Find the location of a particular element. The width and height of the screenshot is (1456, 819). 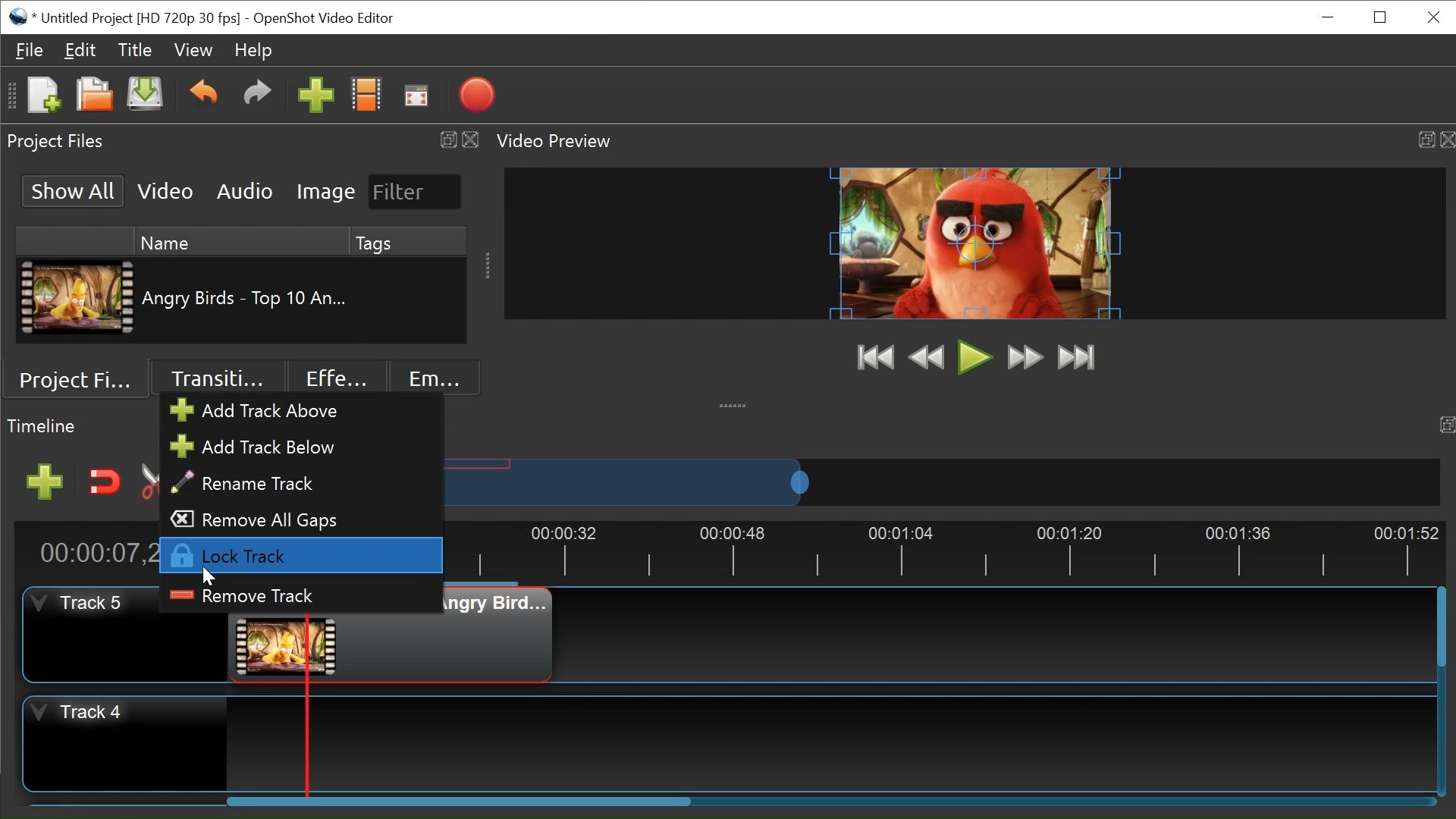

Timeline is located at coordinates (958, 549).